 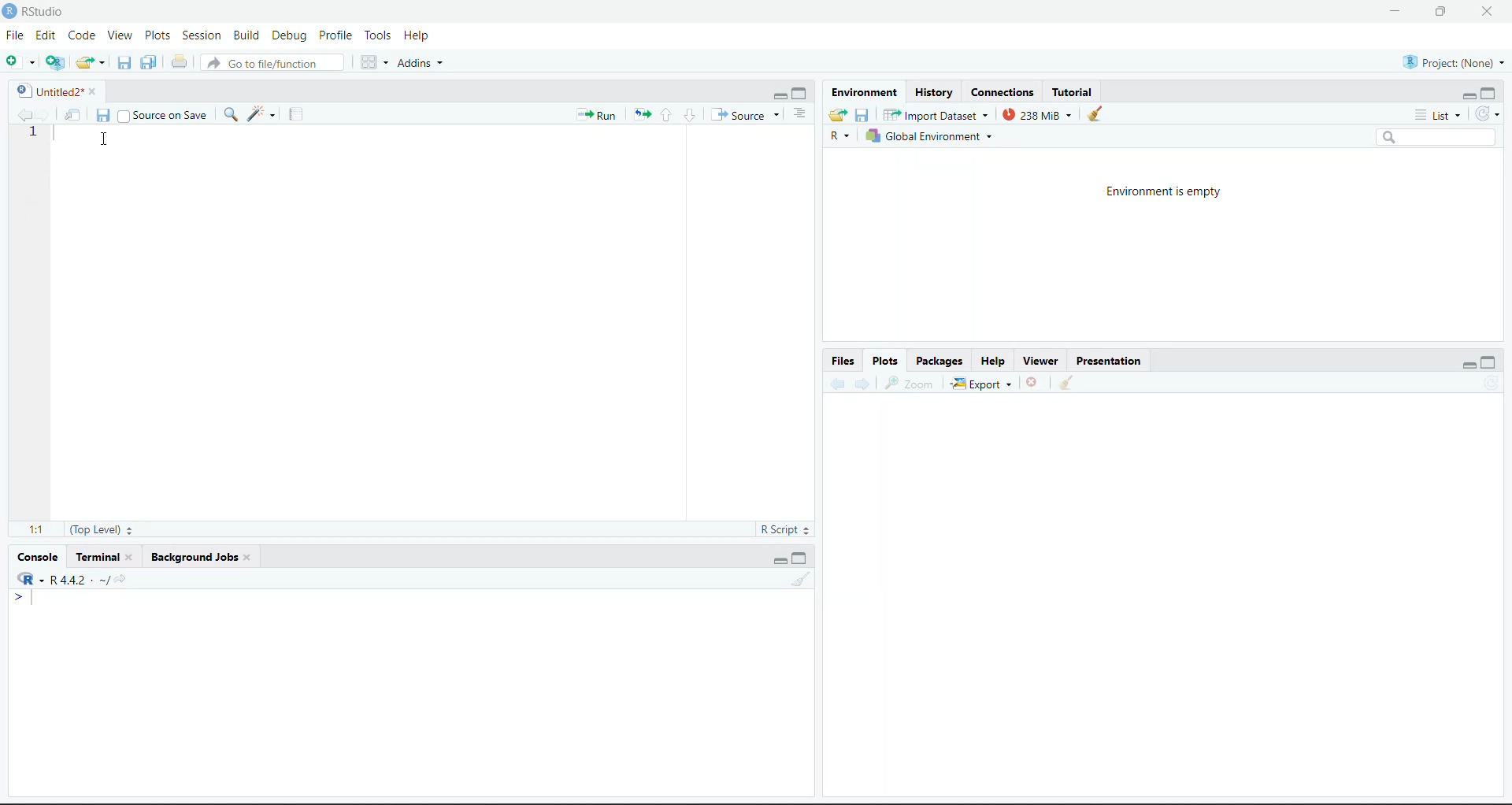 What do you see at coordinates (800, 579) in the screenshot?
I see `clear` at bounding box center [800, 579].